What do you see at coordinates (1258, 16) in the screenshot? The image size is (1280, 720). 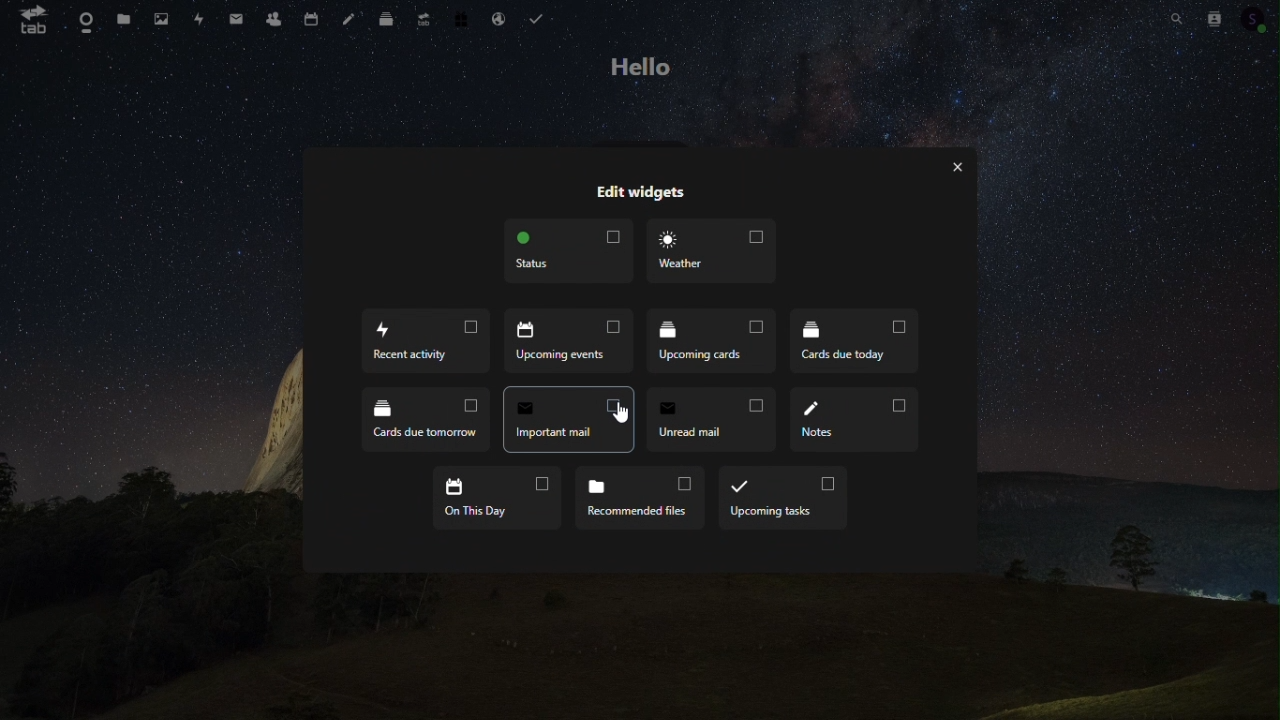 I see `Account icon` at bounding box center [1258, 16].